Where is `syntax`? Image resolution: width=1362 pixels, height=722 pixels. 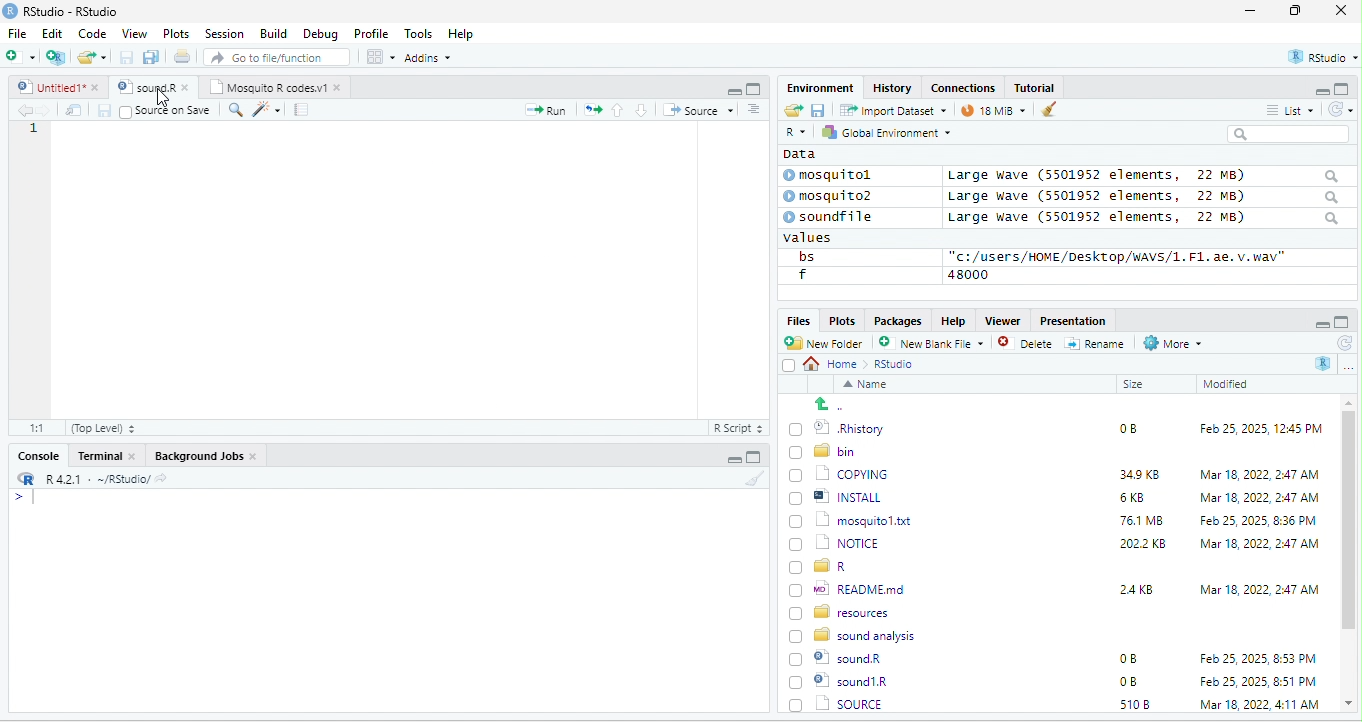 syntax is located at coordinates (20, 500).